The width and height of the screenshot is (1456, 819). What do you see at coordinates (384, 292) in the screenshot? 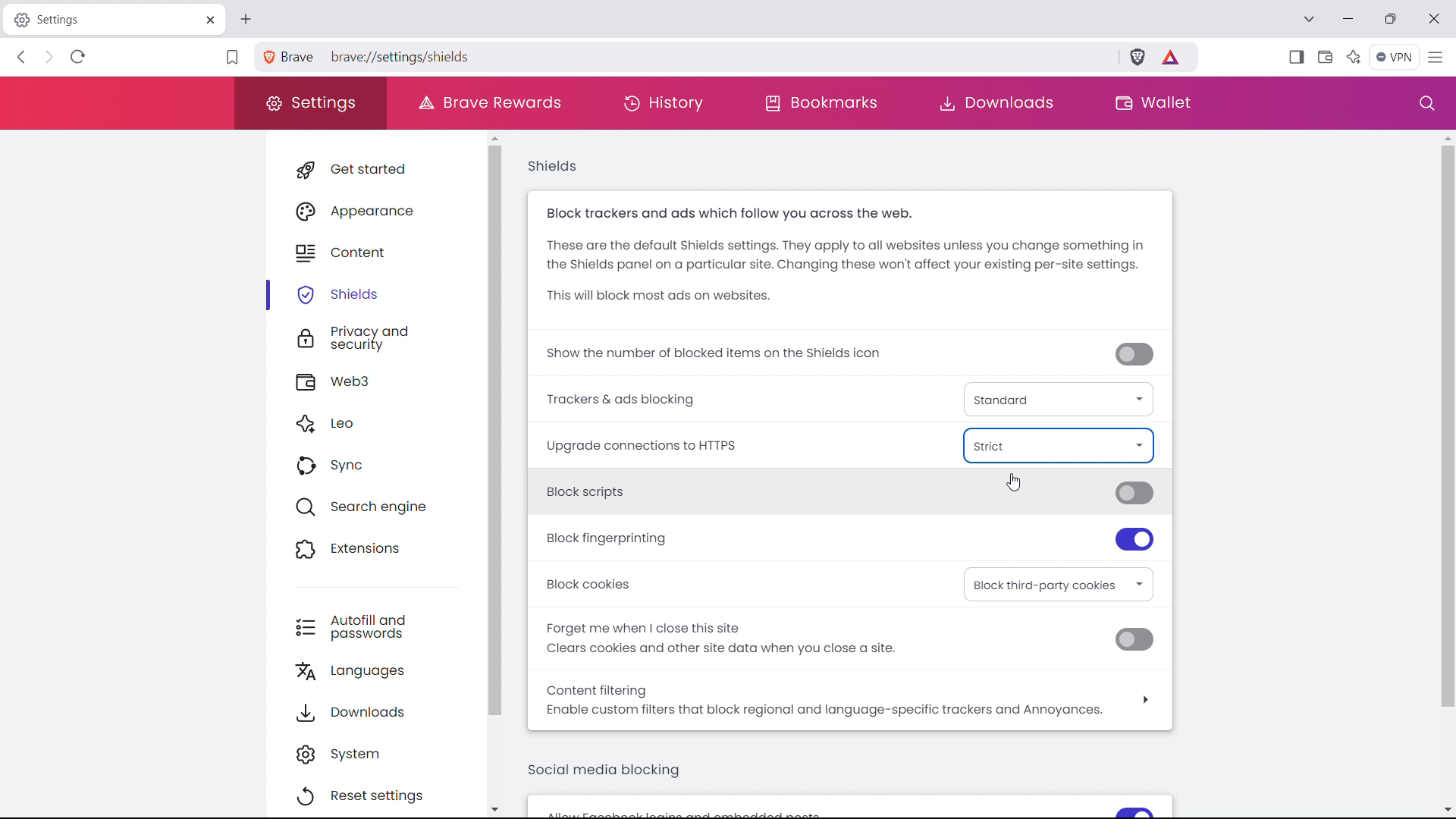
I see `shields` at bounding box center [384, 292].